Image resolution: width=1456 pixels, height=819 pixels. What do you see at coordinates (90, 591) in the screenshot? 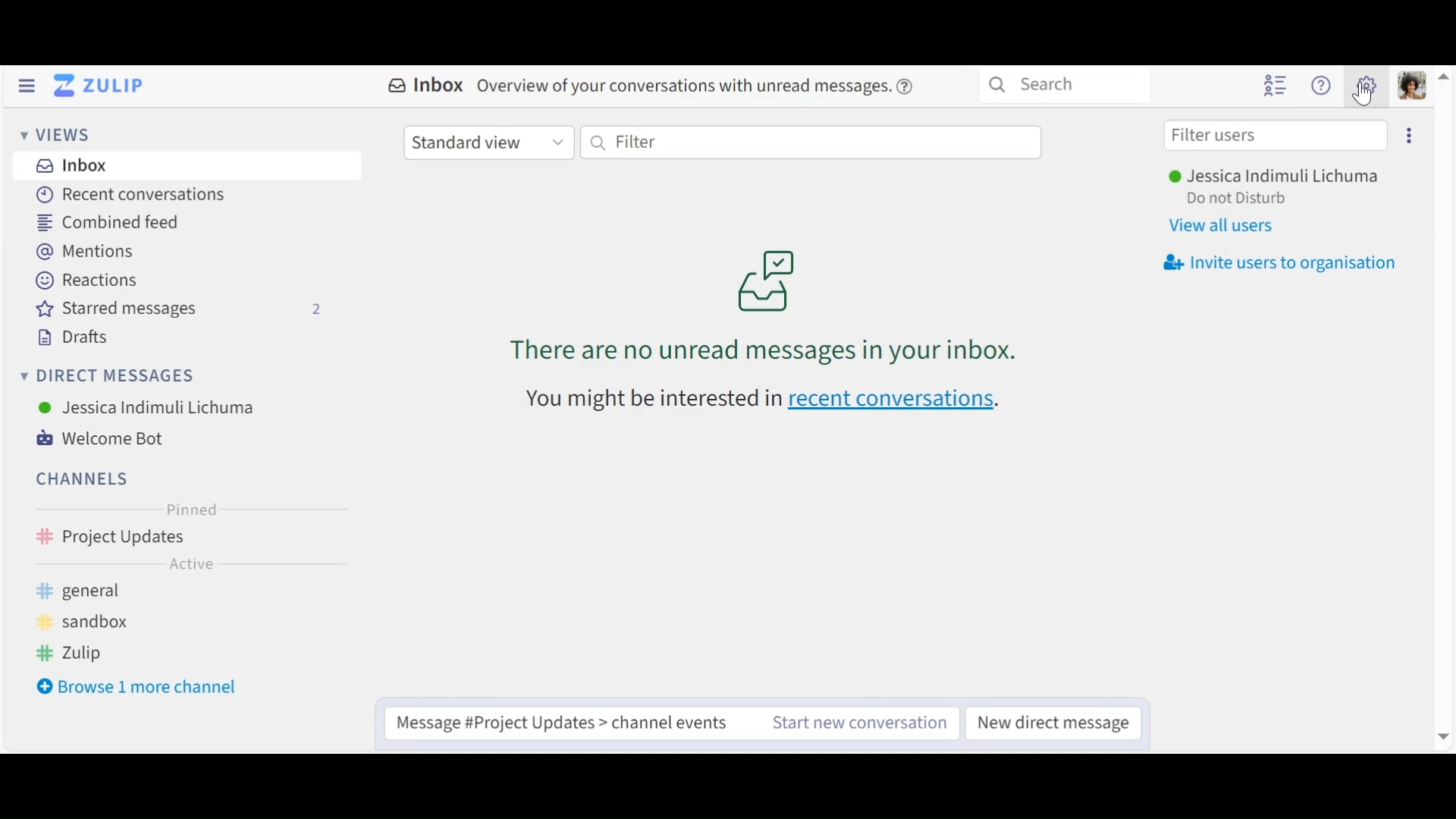
I see `general` at bounding box center [90, 591].